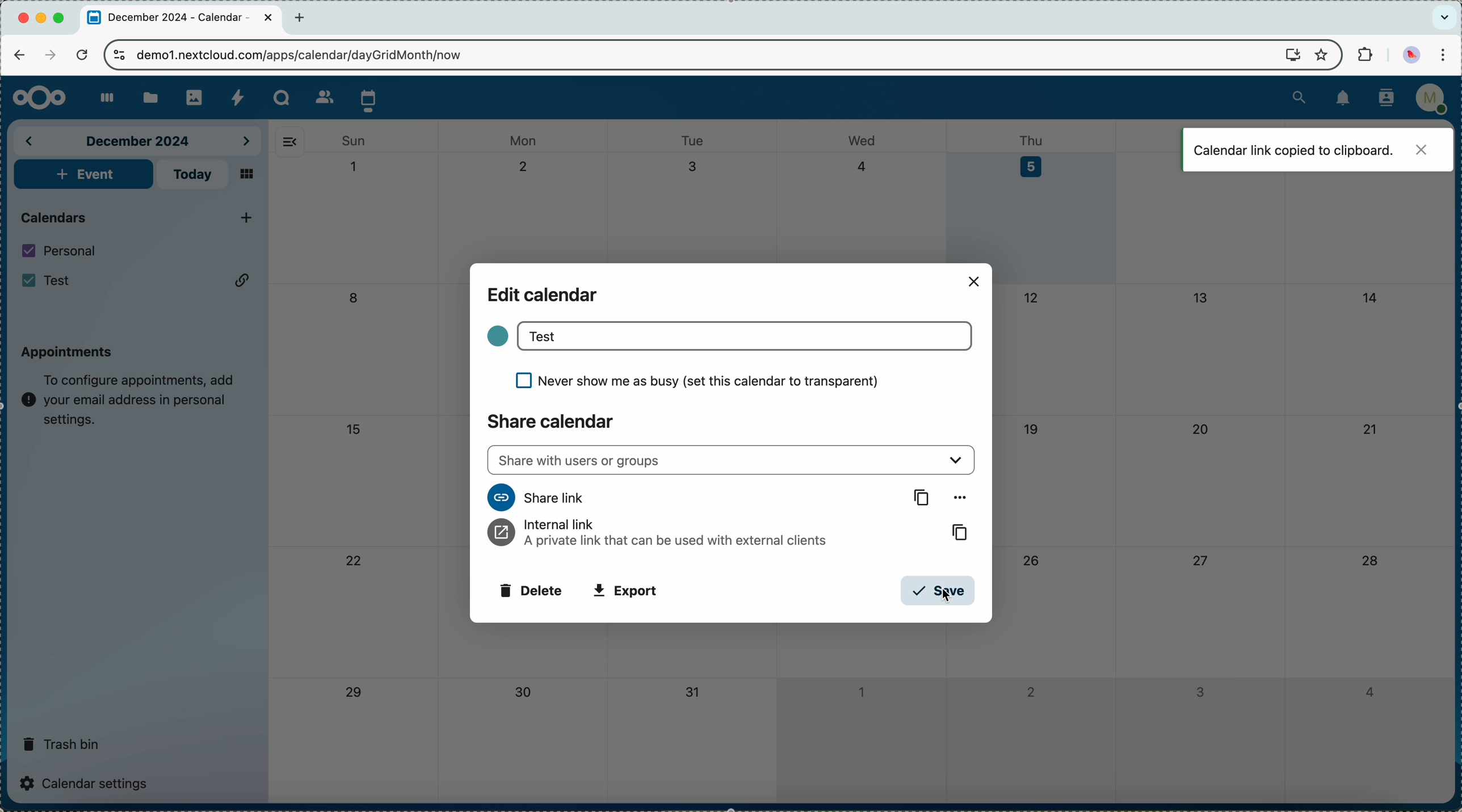  What do you see at coordinates (81, 54) in the screenshot?
I see `refresh the page` at bounding box center [81, 54].